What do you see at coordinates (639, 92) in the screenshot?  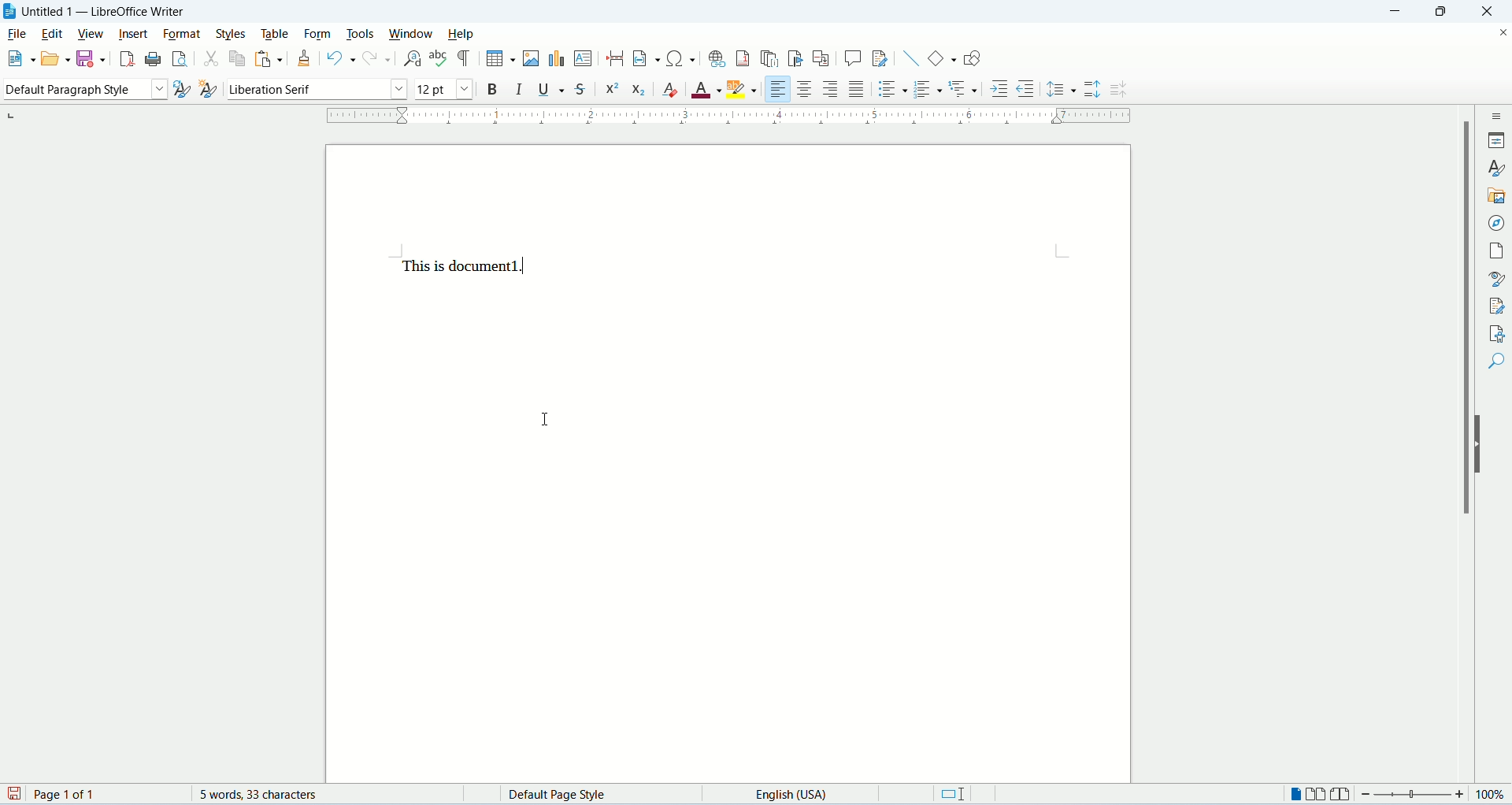 I see `subscript` at bounding box center [639, 92].